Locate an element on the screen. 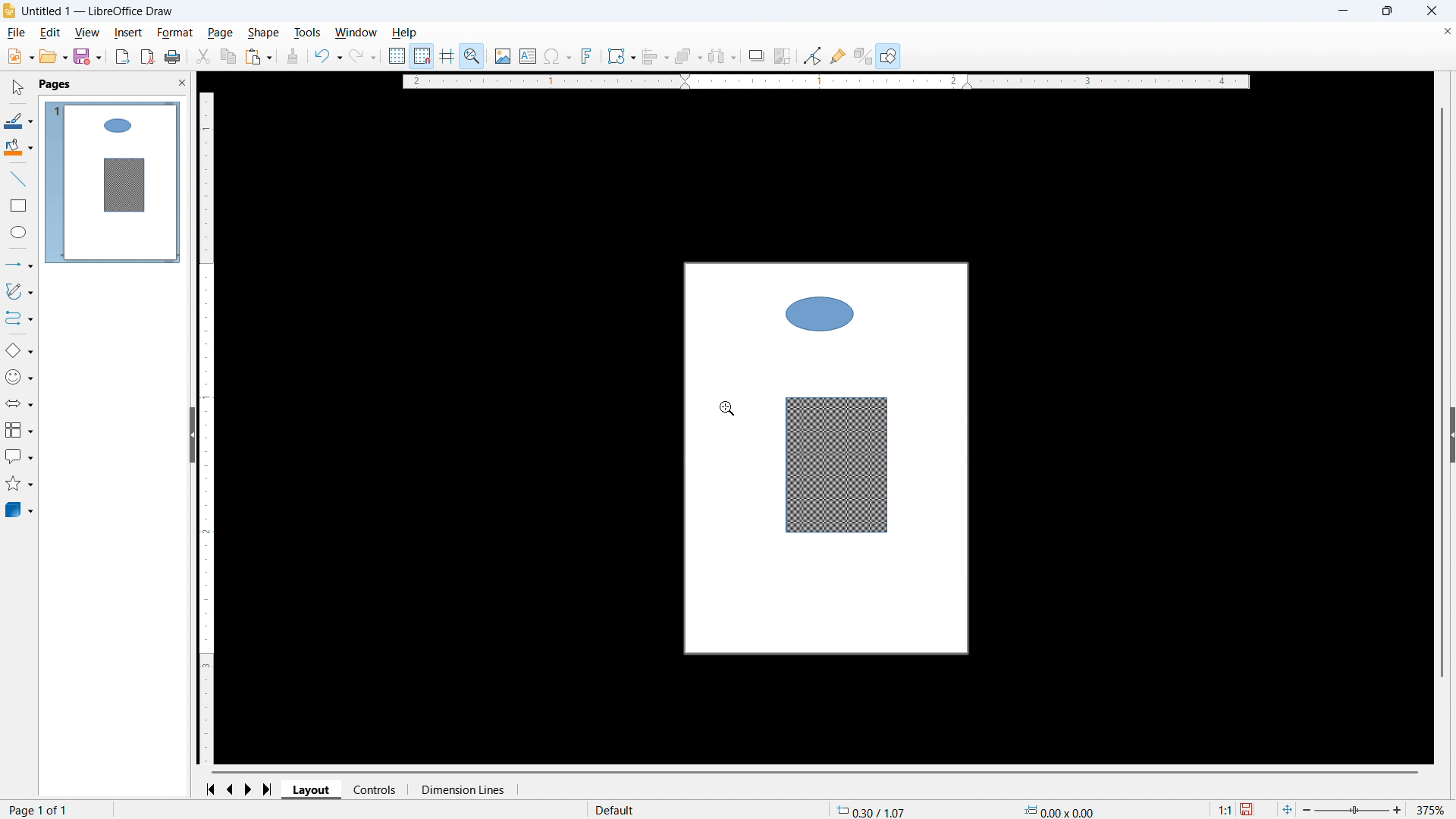  Export as PDF  is located at coordinates (147, 57).